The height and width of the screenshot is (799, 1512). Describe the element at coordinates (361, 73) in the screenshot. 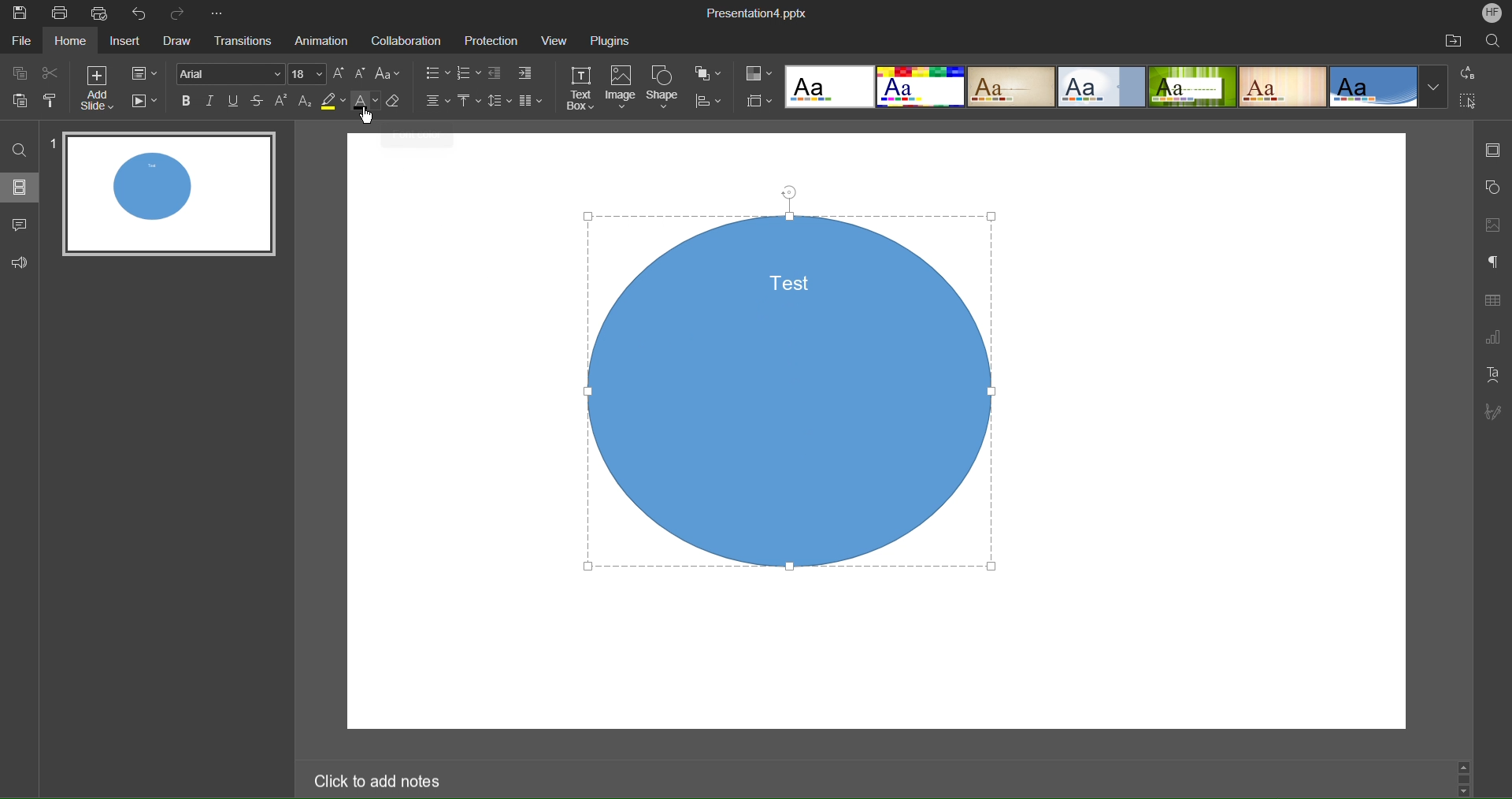

I see `Decrease size` at that location.